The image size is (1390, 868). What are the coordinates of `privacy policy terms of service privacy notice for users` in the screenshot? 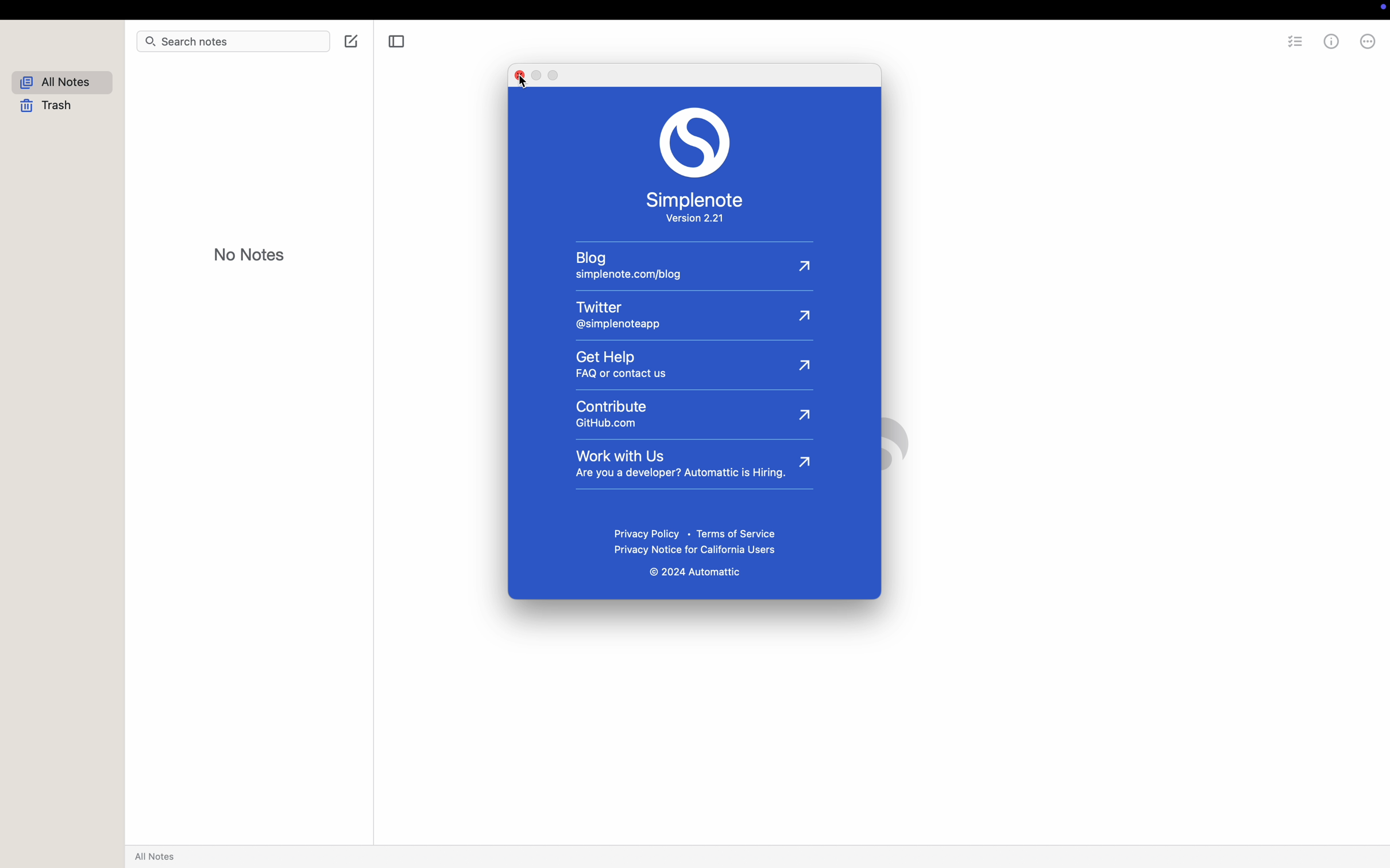 It's located at (698, 541).